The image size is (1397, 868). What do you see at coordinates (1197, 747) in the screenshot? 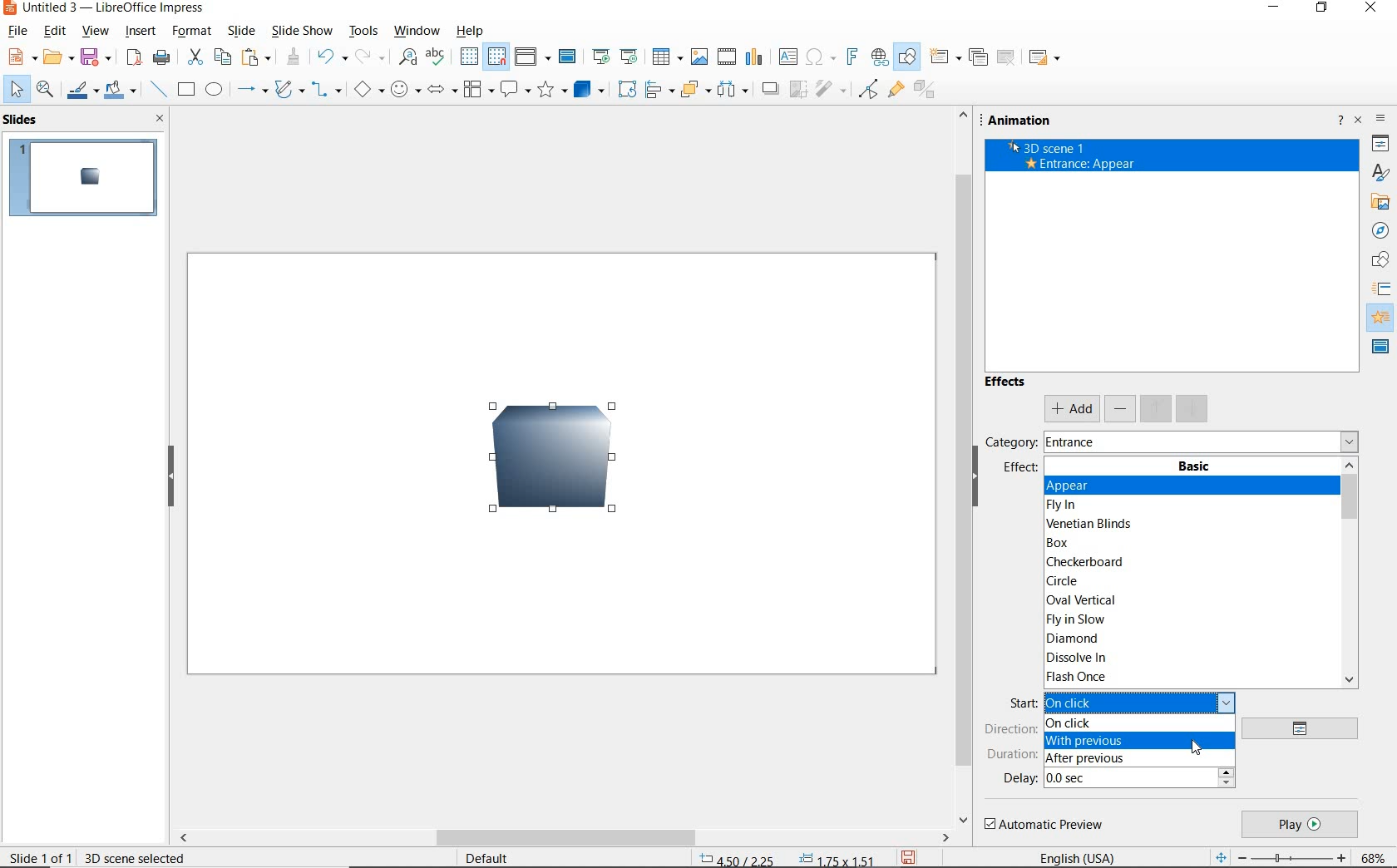
I see `cursor` at bounding box center [1197, 747].